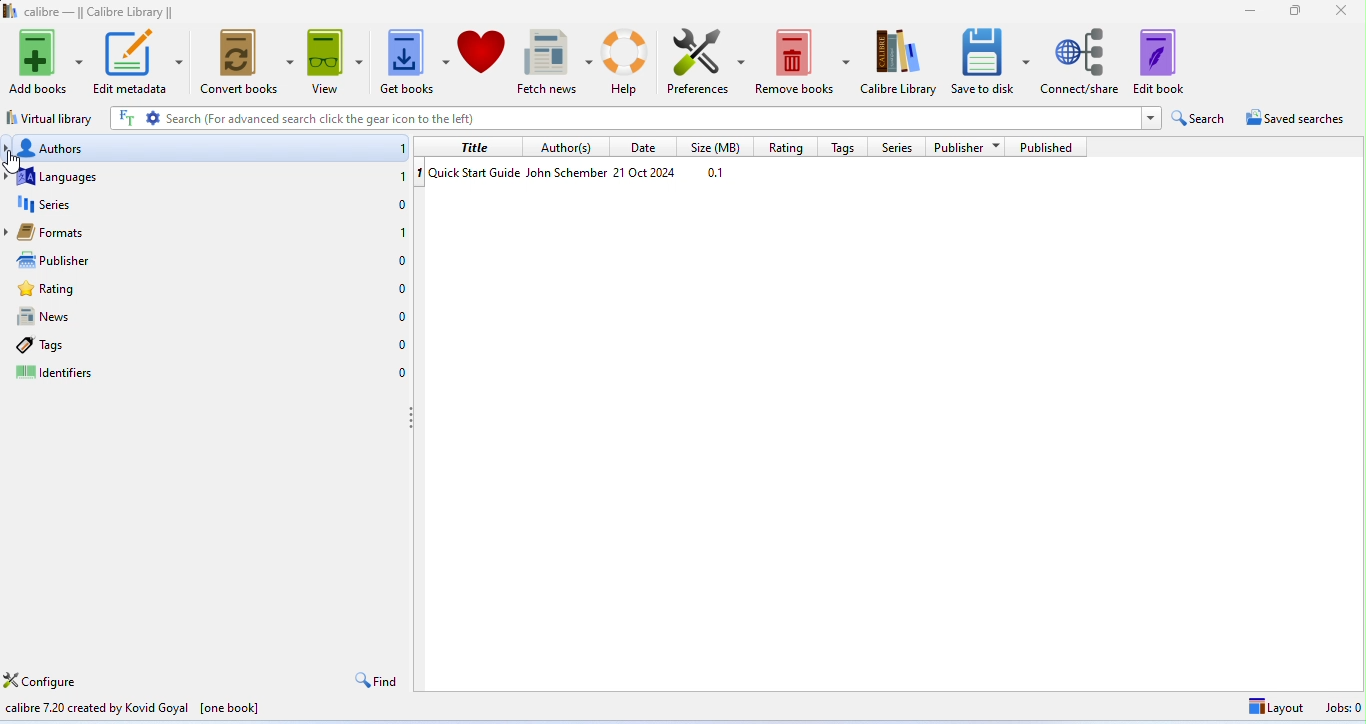  I want to click on expand, so click(1155, 118).